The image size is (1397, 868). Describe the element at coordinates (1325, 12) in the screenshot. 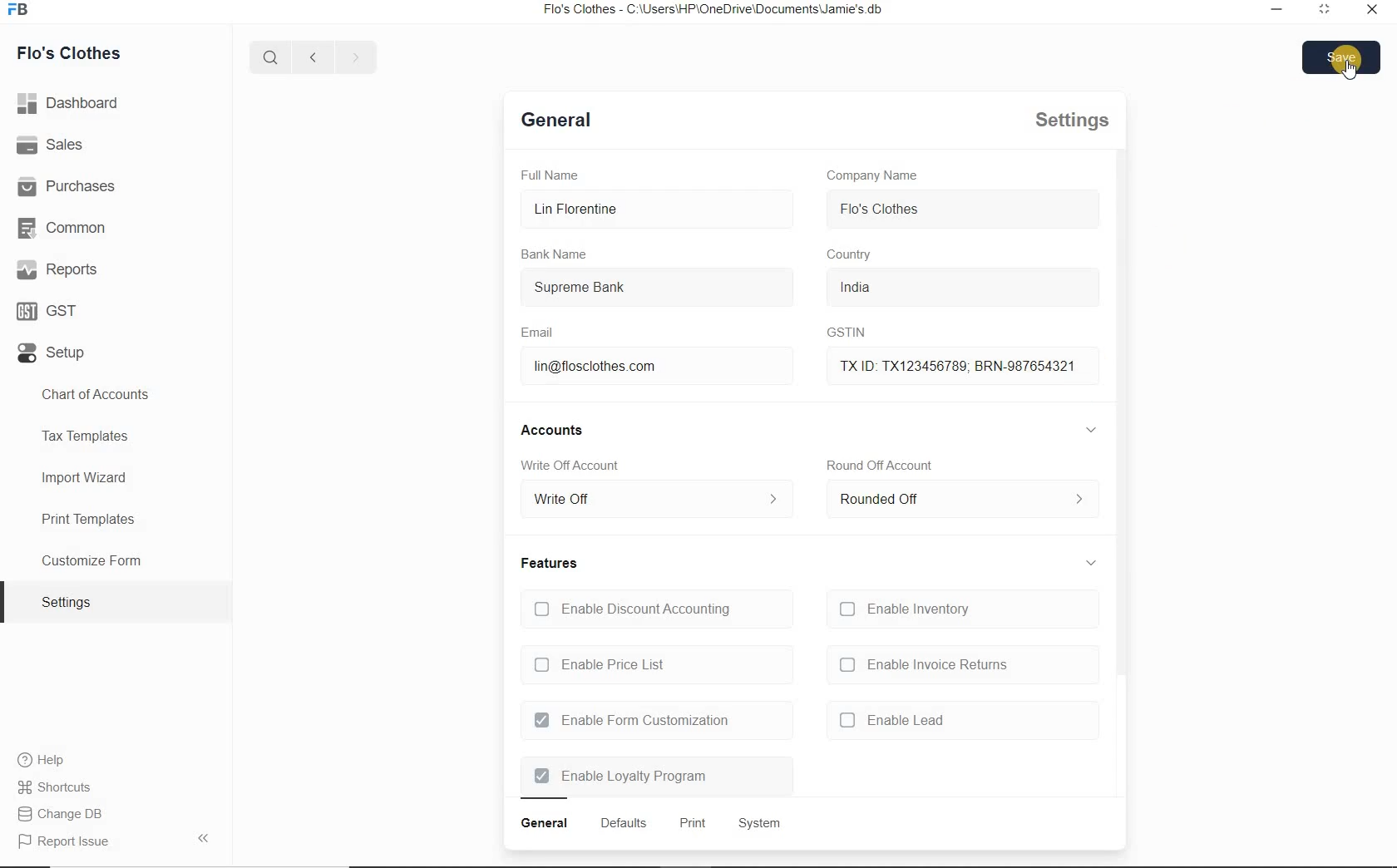

I see `minimize` at that location.